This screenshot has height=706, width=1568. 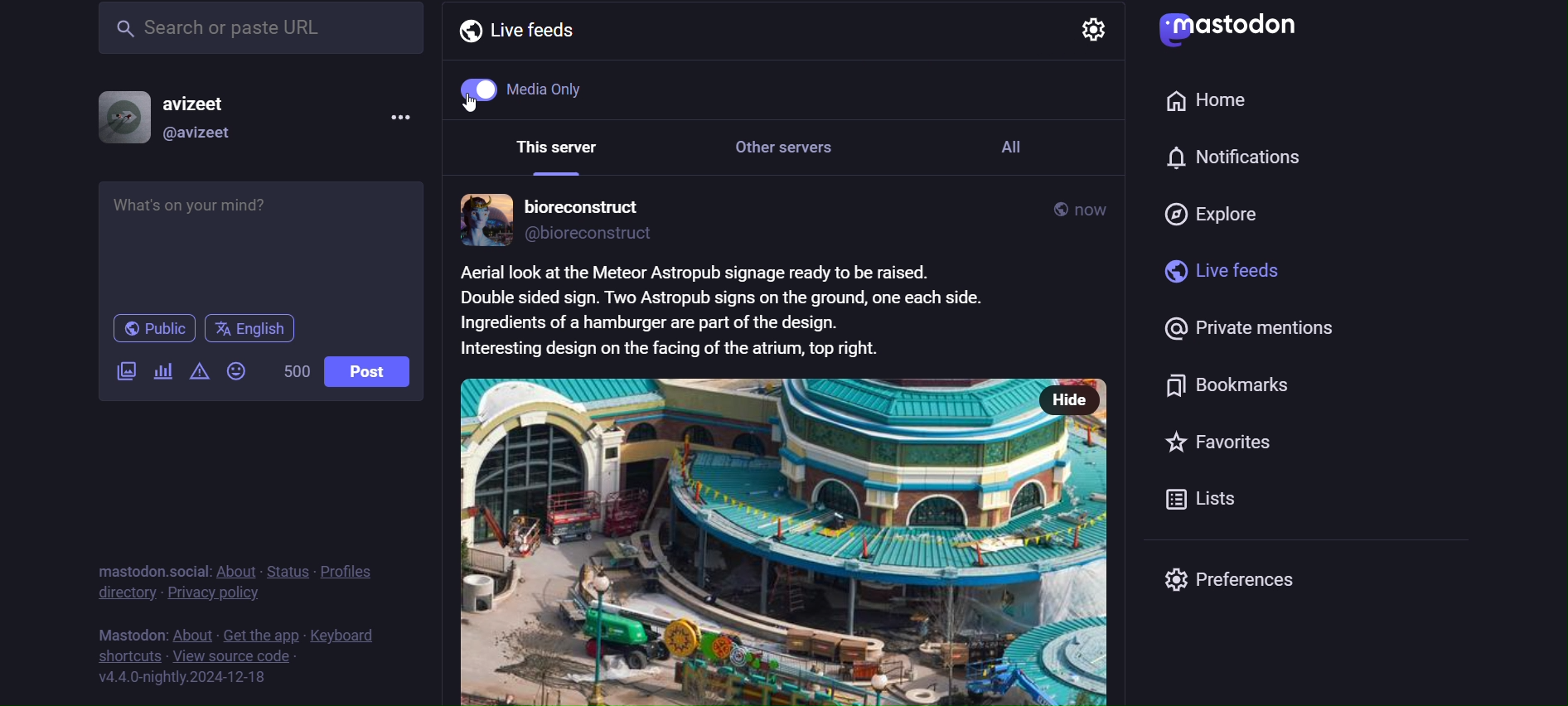 I want to click on menu, so click(x=405, y=116).